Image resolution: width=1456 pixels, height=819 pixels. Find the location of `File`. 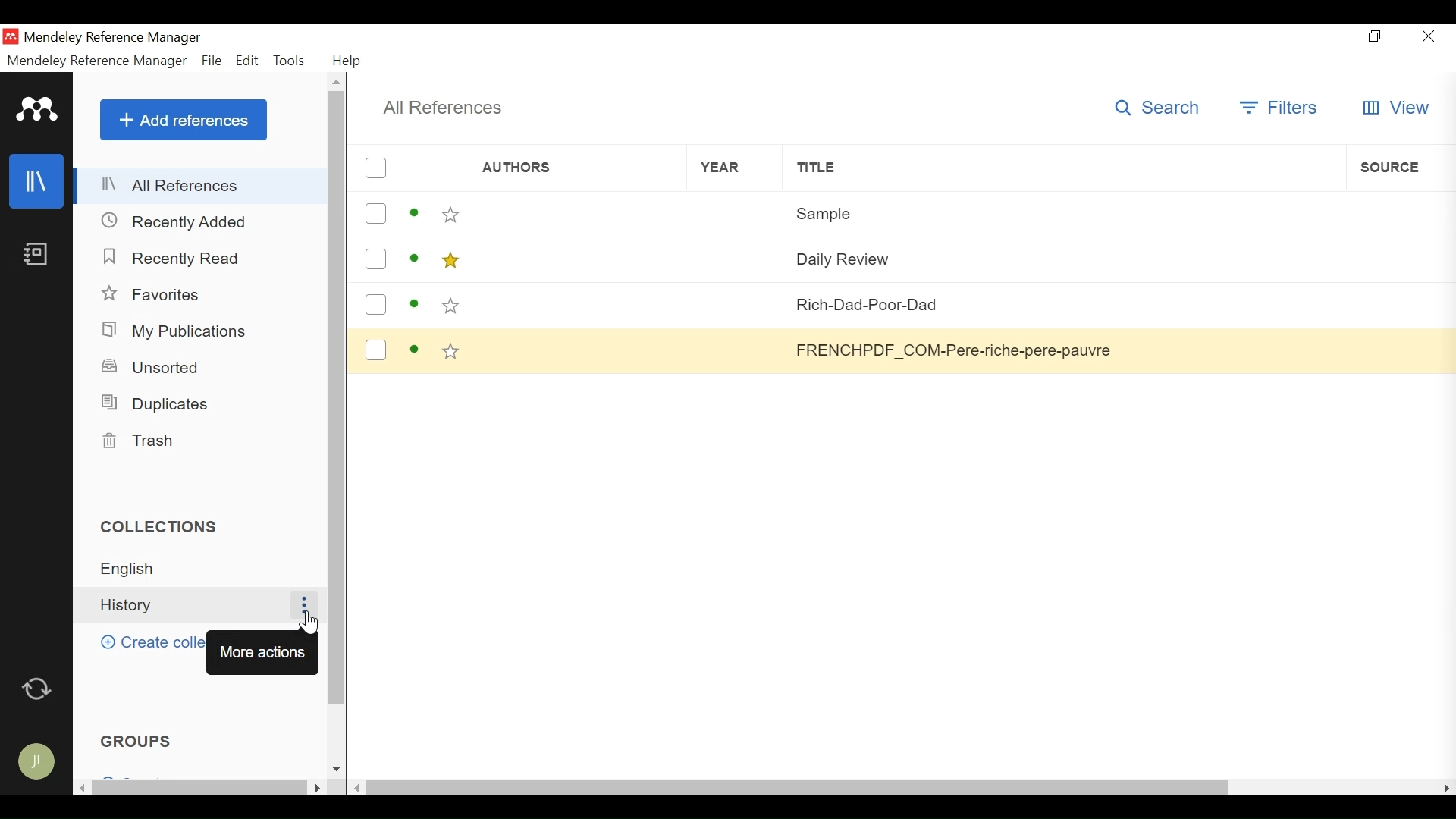

File is located at coordinates (212, 61).